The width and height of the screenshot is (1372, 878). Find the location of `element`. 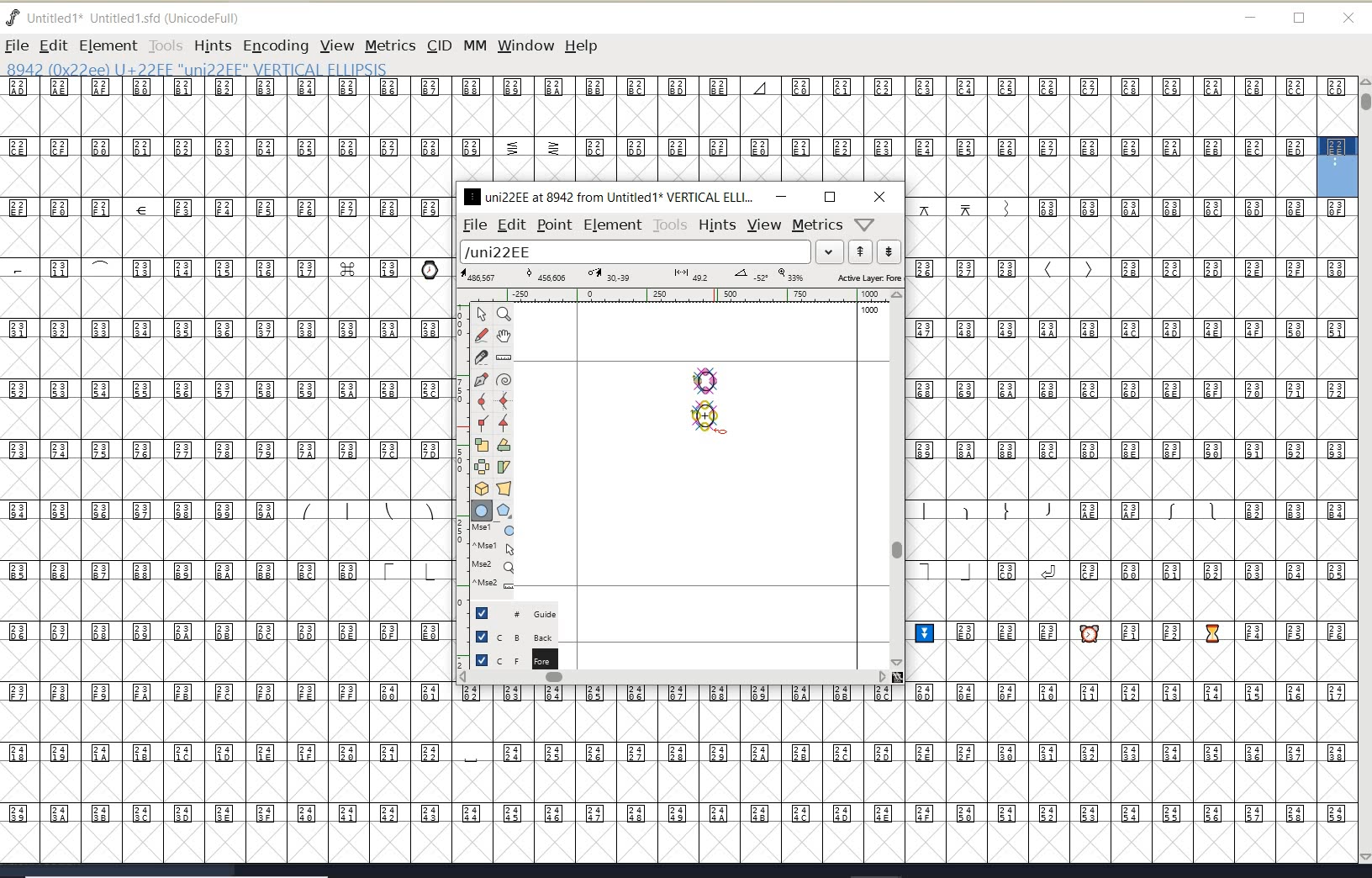

element is located at coordinates (613, 225).